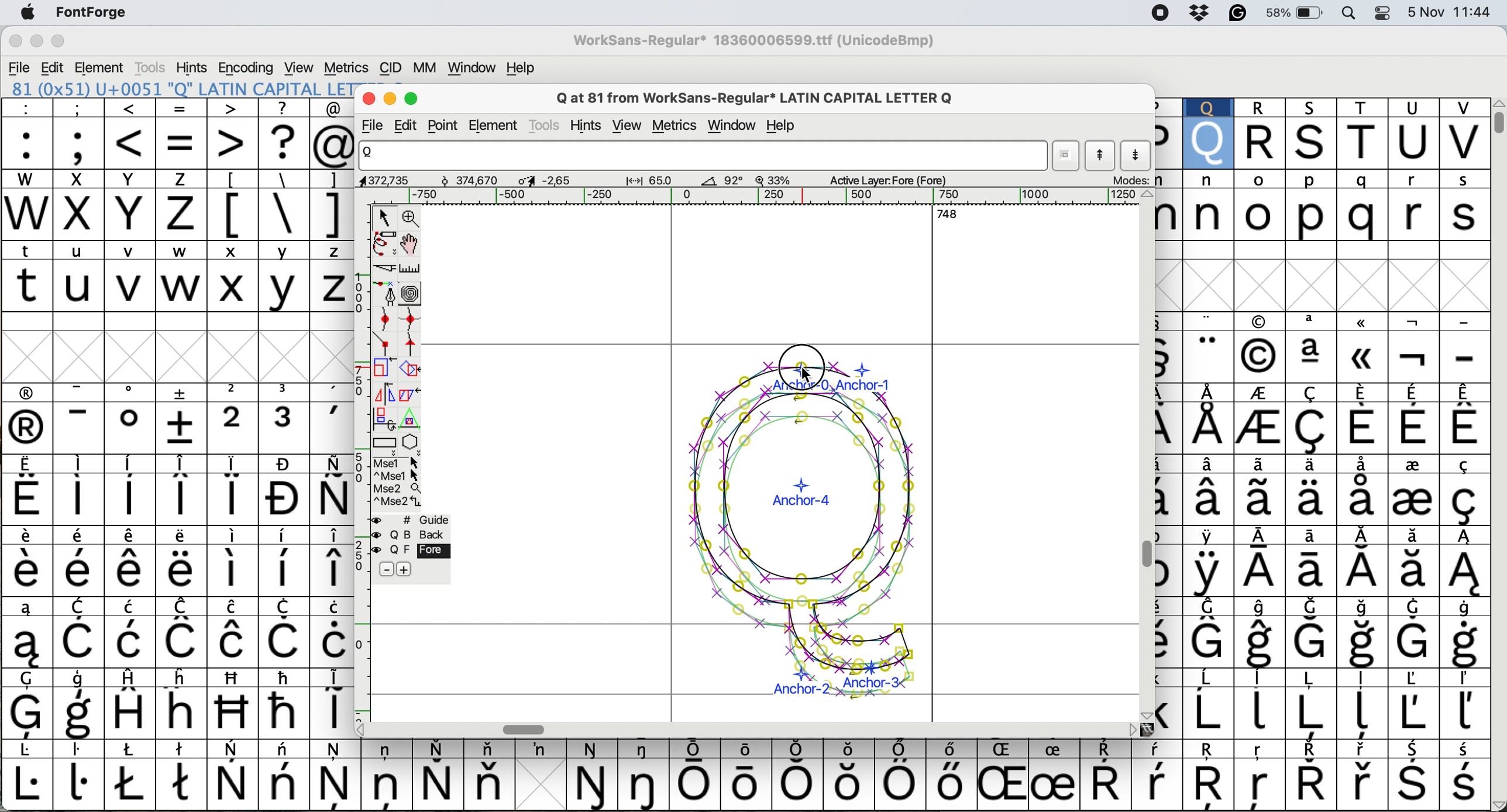 This screenshot has width=1507, height=812. Describe the element at coordinates (384, 569) in the screenshot. I see `remove` at that location.